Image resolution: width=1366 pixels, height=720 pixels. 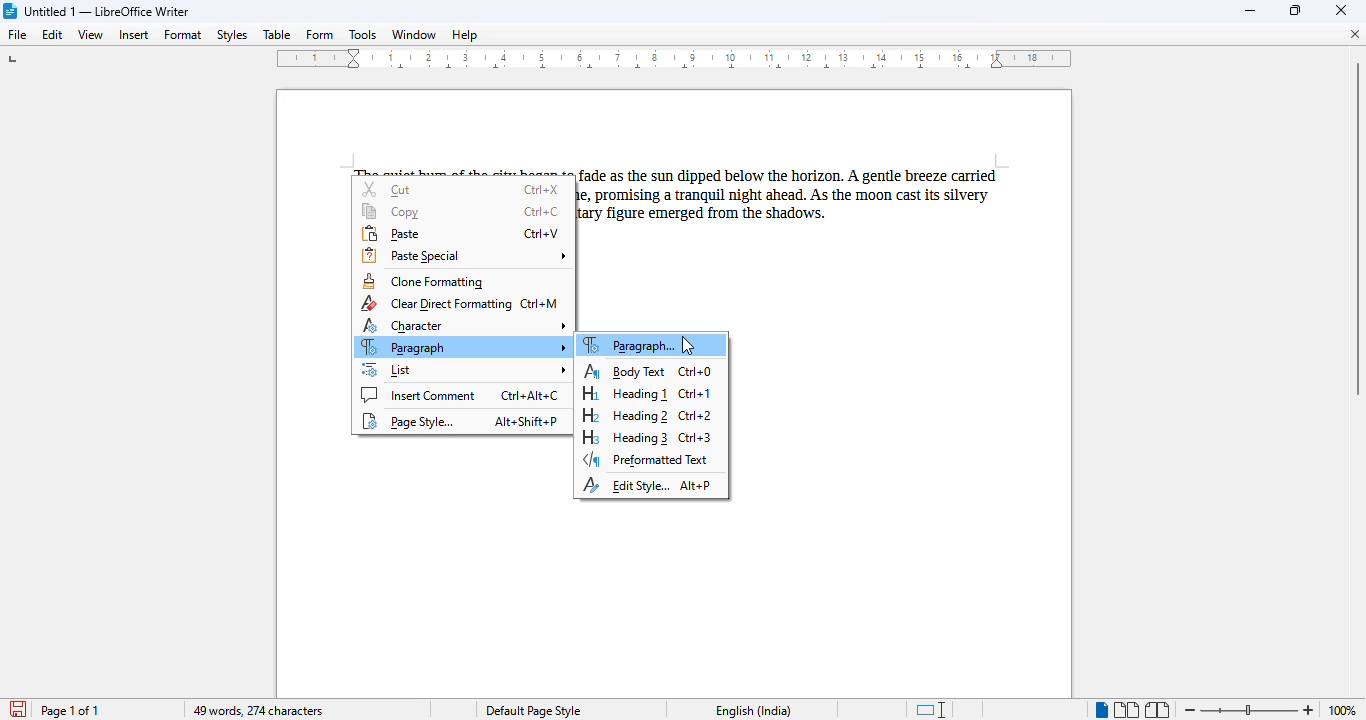 I want to click on click to save document, so click(x=18, y=709).